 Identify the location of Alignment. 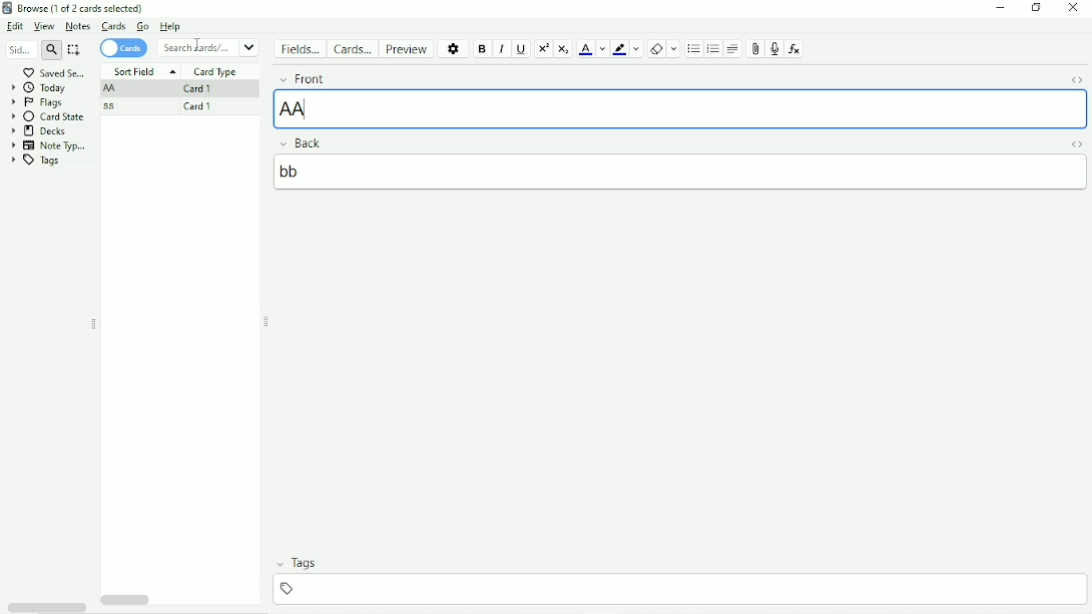
(734, 48).